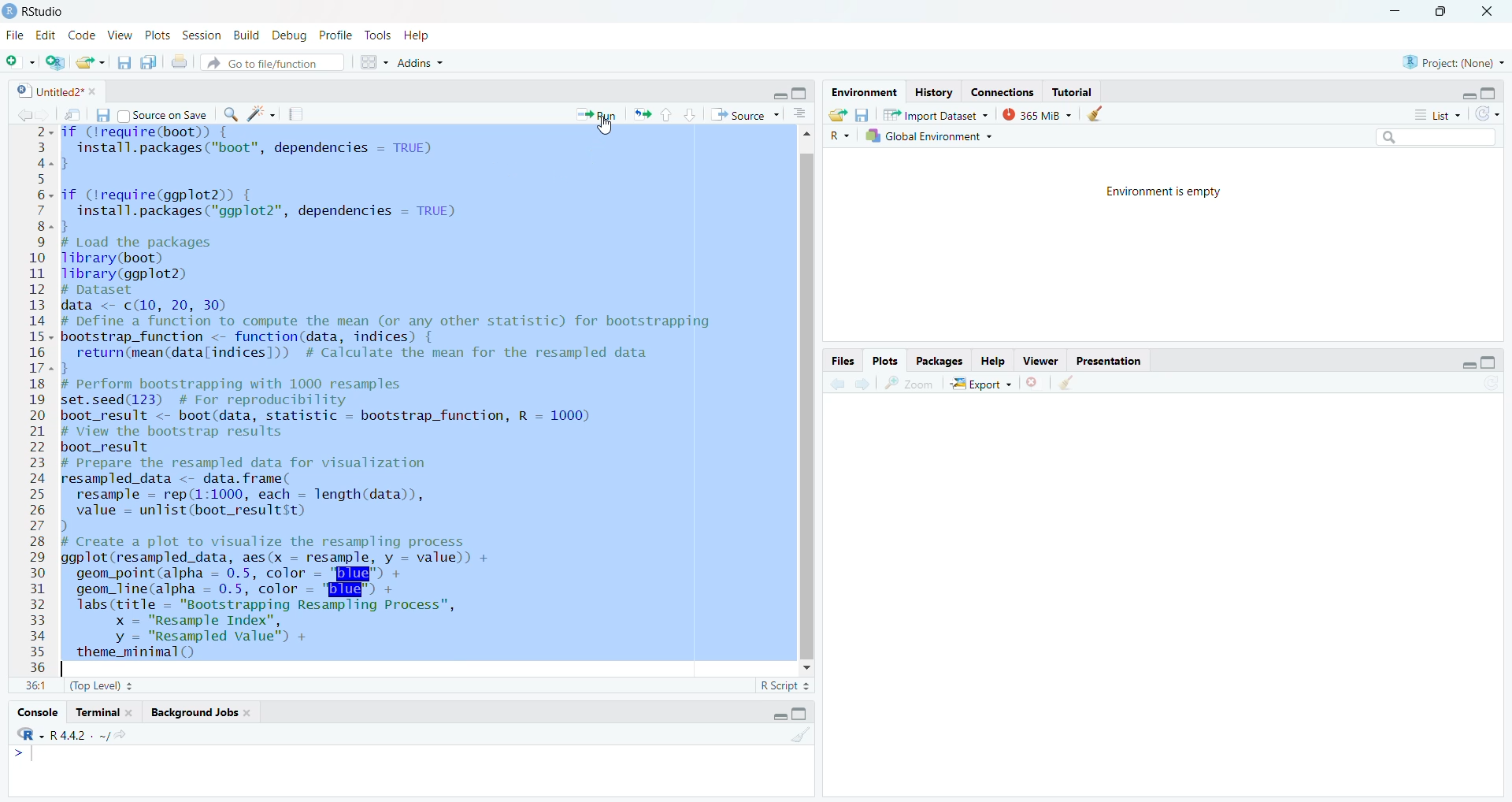  Describe the element at coordinates (1440, 13) in the screenshot. I see `maximize` at that location.